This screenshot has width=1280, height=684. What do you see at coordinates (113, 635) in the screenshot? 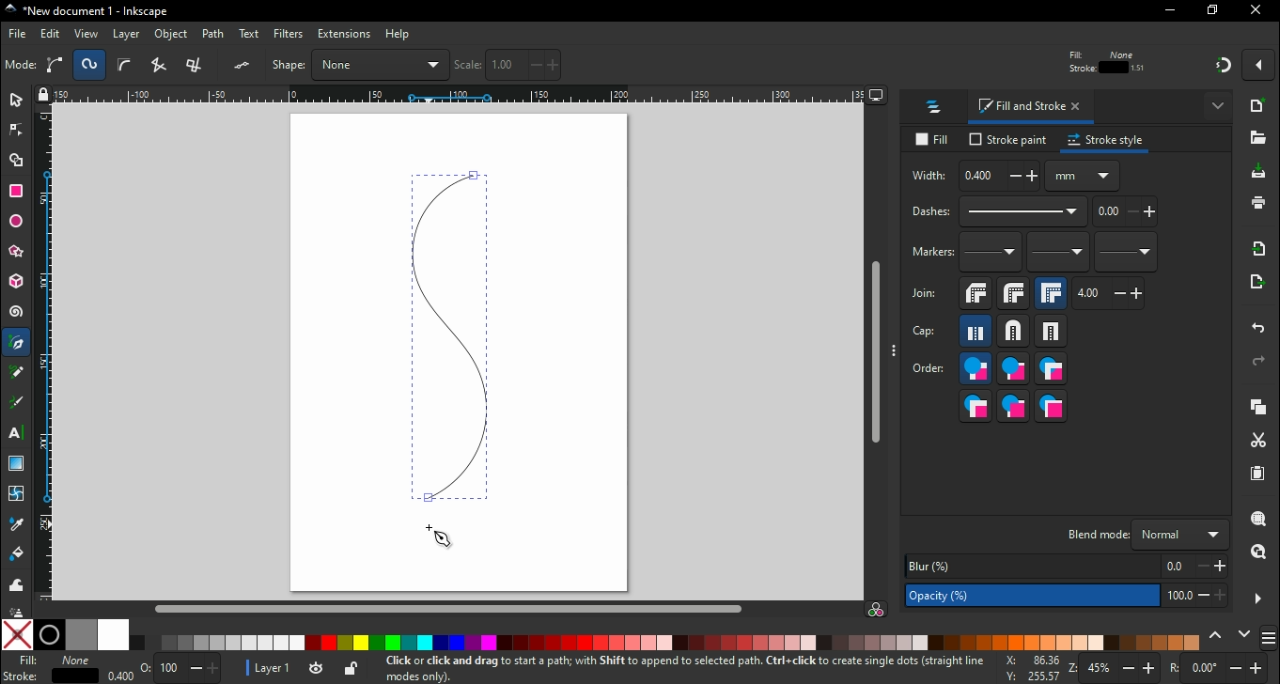
I see `white` at bounding box center [113, 635].